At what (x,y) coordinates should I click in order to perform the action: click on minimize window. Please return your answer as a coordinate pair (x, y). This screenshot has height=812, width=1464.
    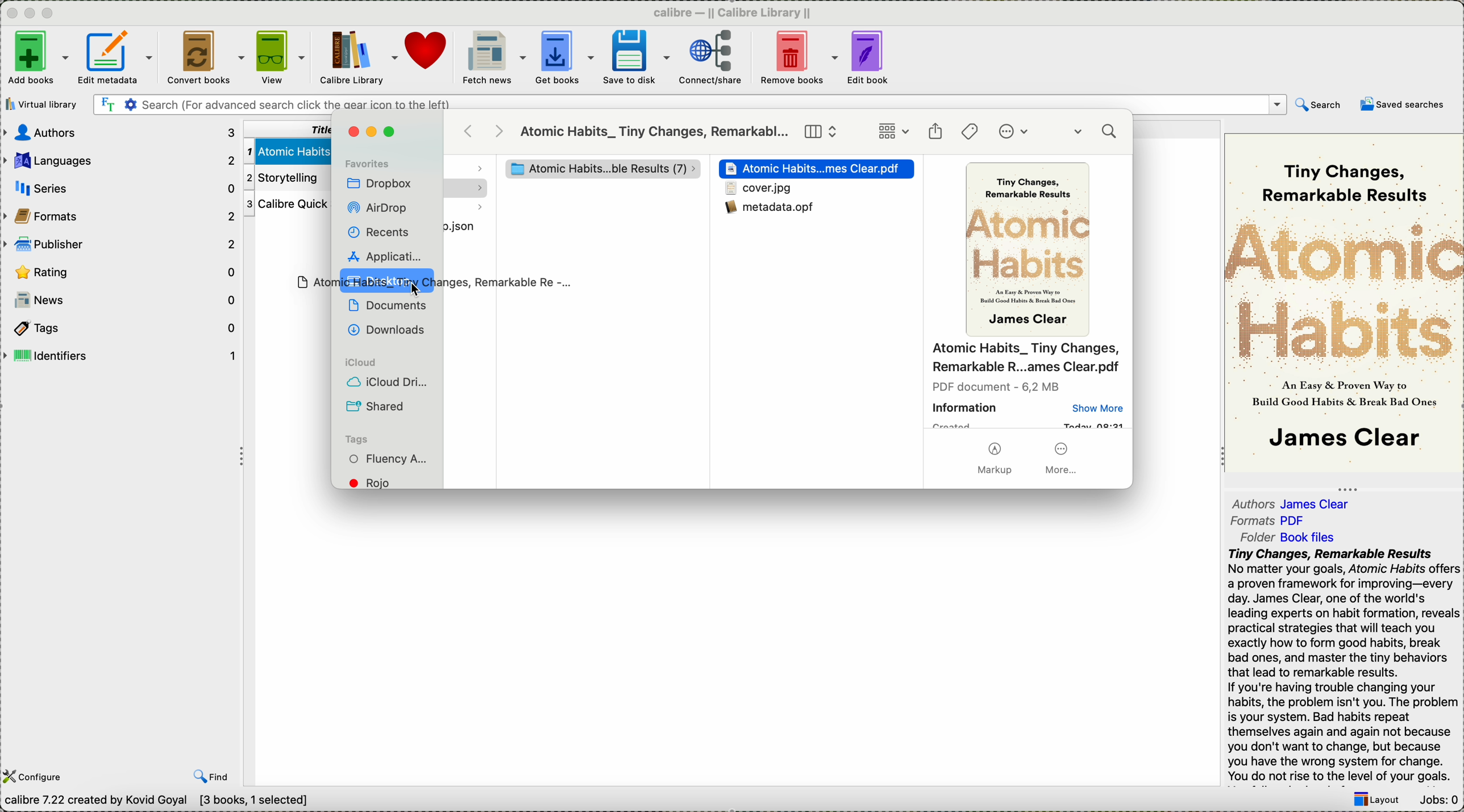
    Looking at the image, I should click on (375, 132).